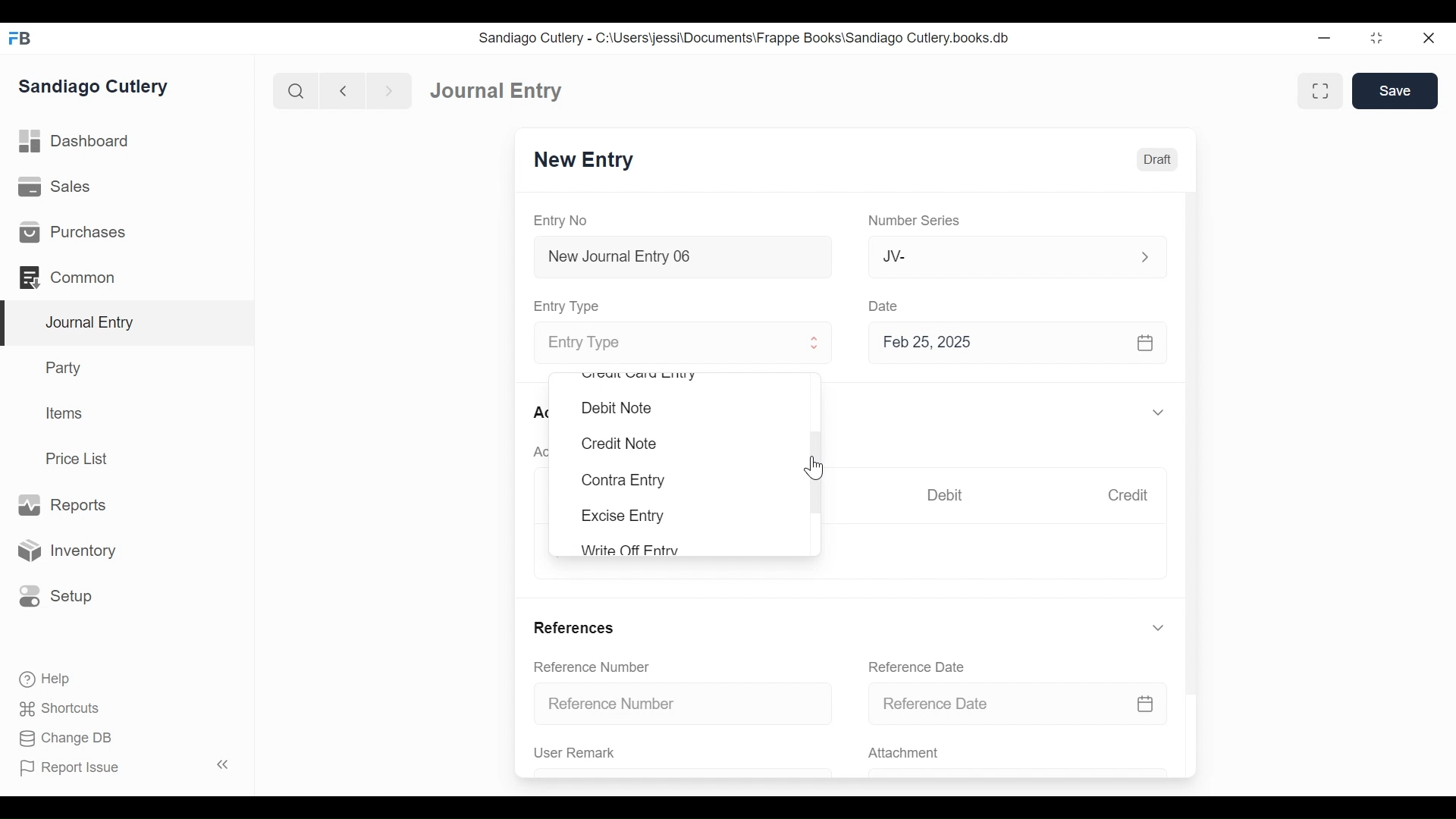  I want to click on Debit, so click(945, 495).